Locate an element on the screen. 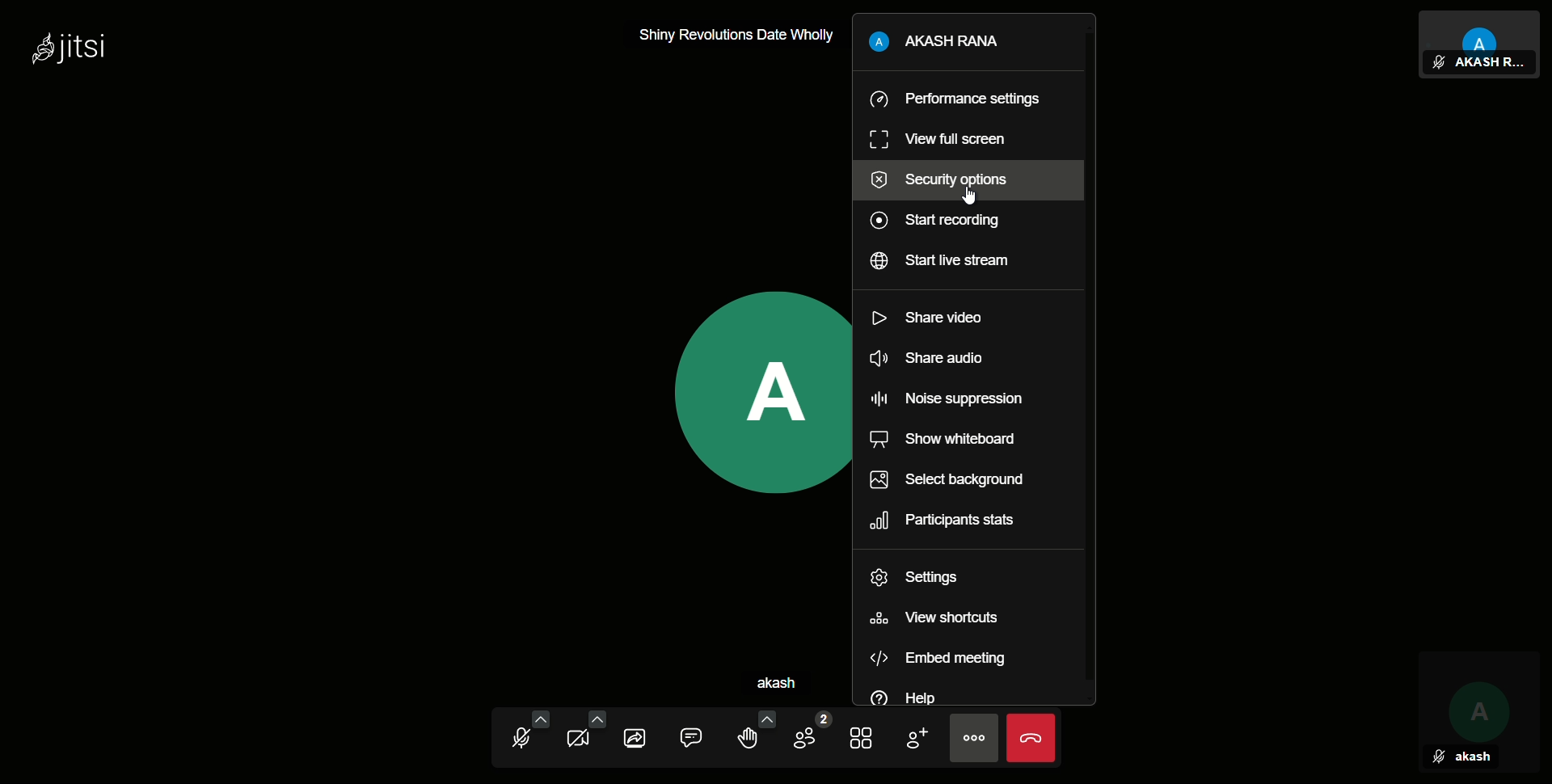 This screenshot has width=1552, height=784. view full screen is located at coordinates (934, 138).